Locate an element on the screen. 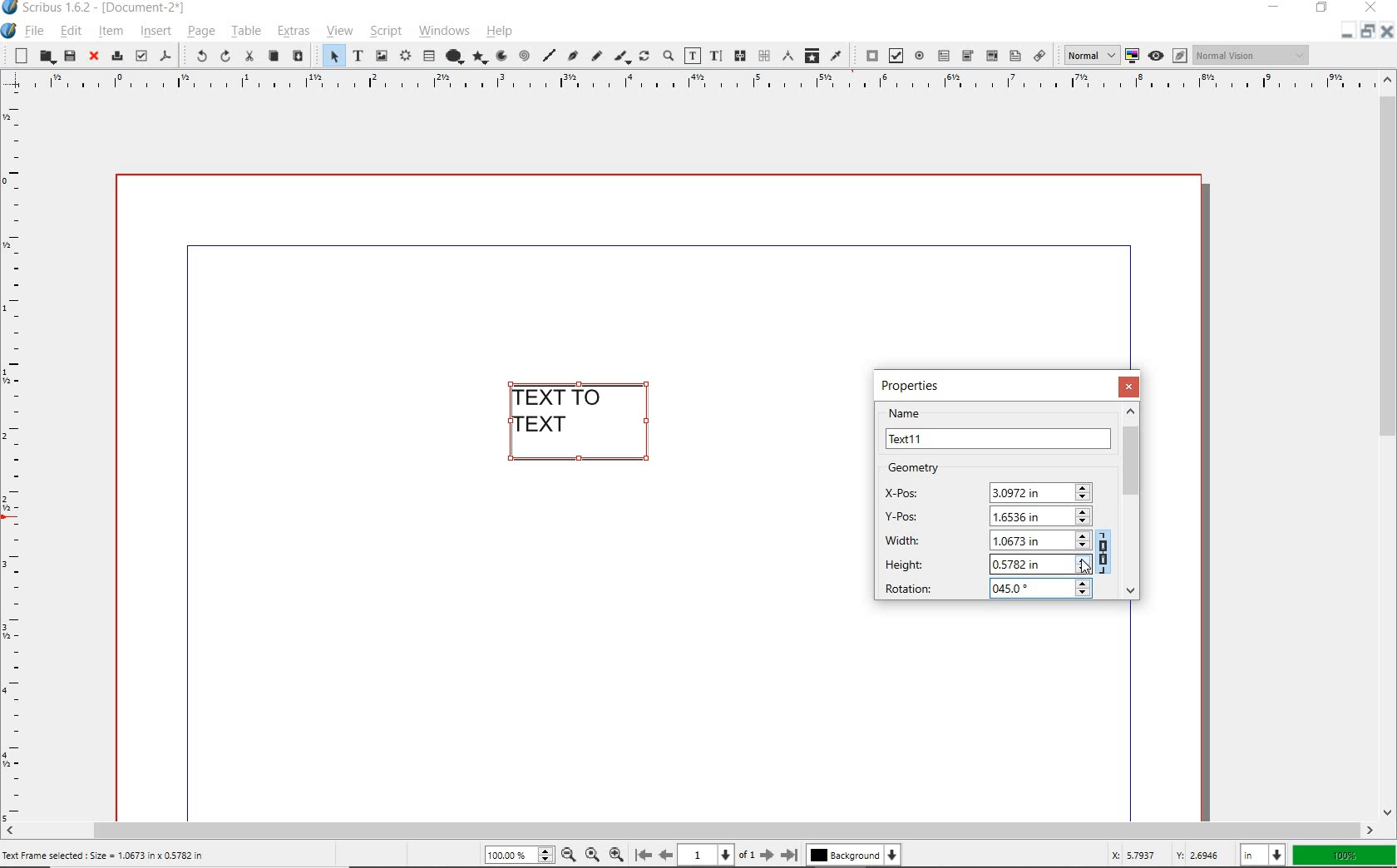  move to last is located at coordinates (792, 856).